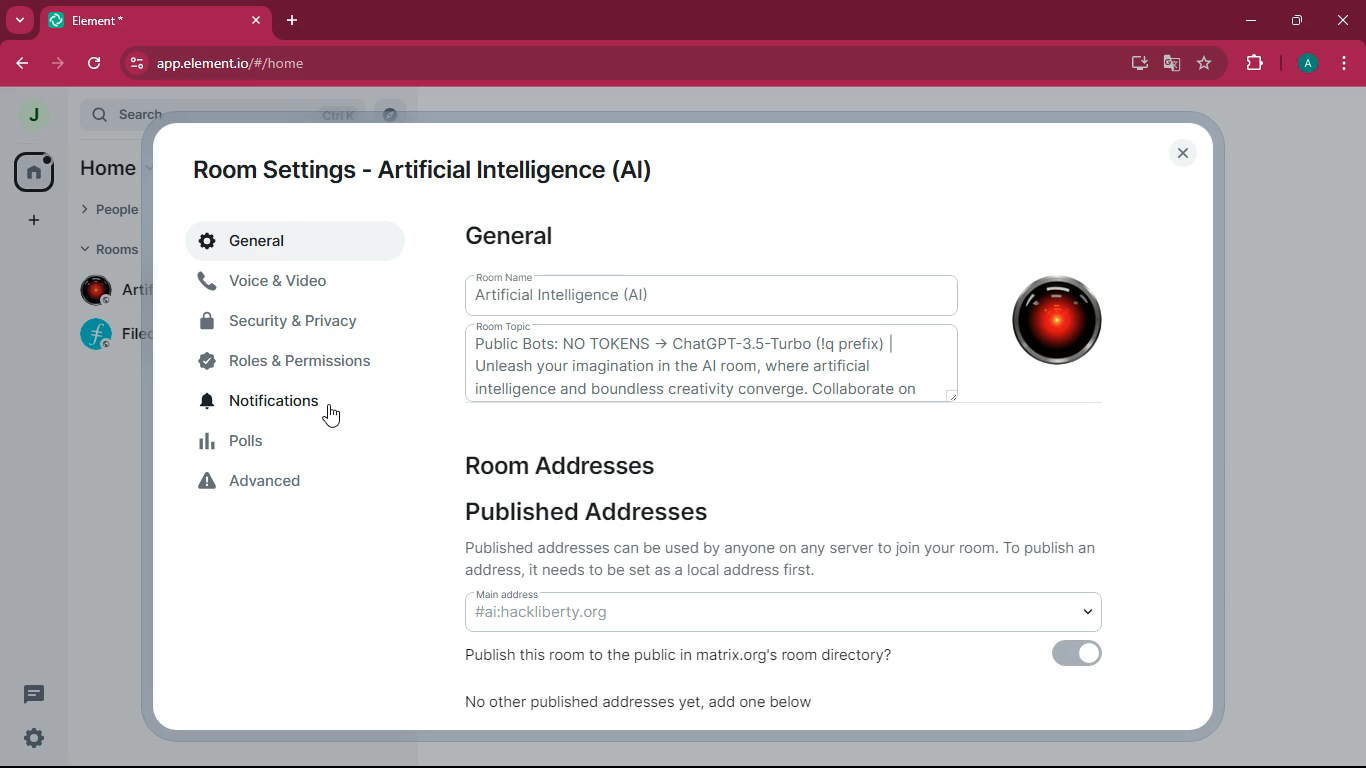  What do you see at coordinates (293, 322) in the screenshot?
I see `ecurity and privacy` at bounding box center [293, 322].